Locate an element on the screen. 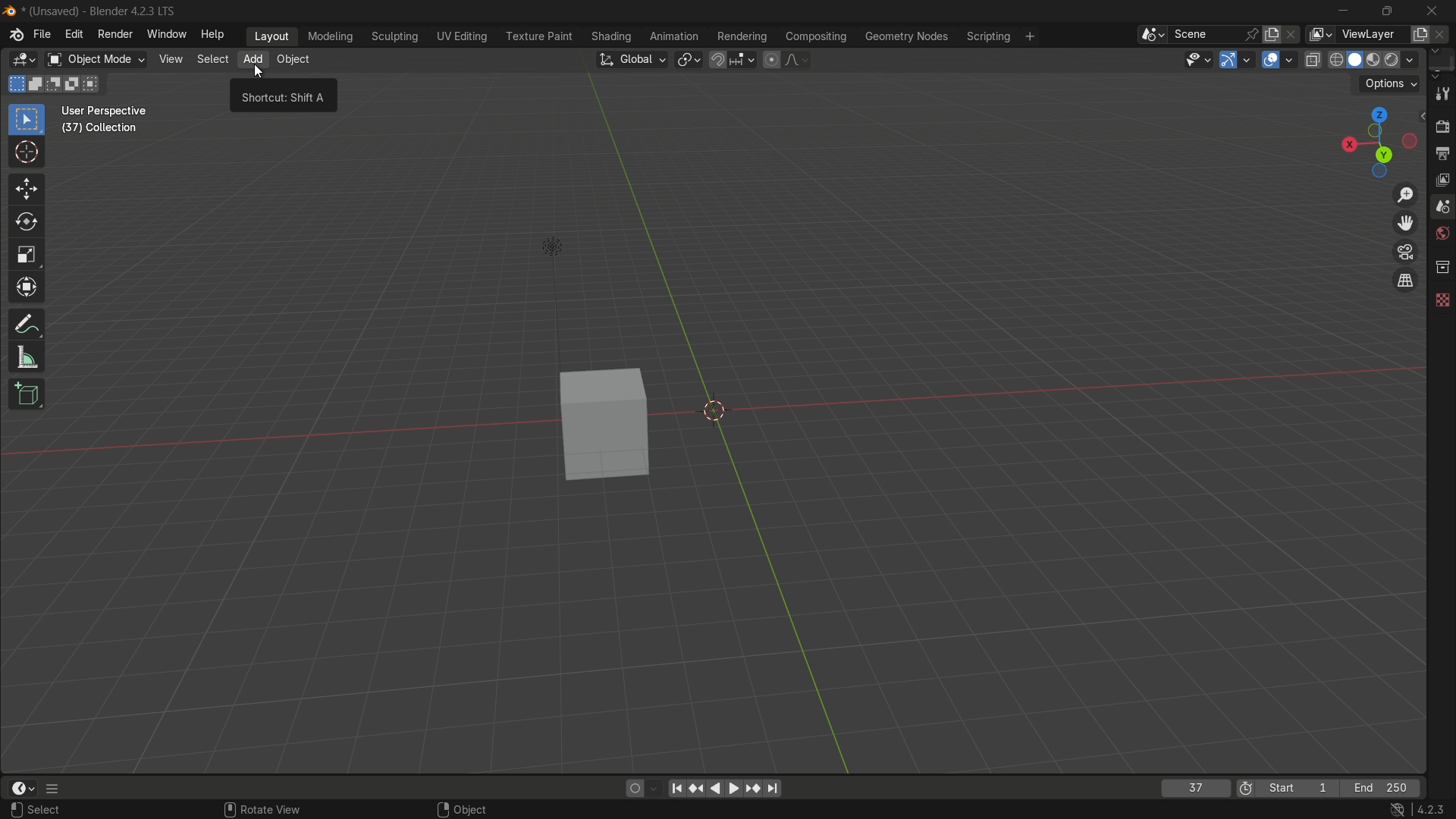 The height and width of the screenshot is (819, 1456). 3d viewport is located at coordinates (26, 60).